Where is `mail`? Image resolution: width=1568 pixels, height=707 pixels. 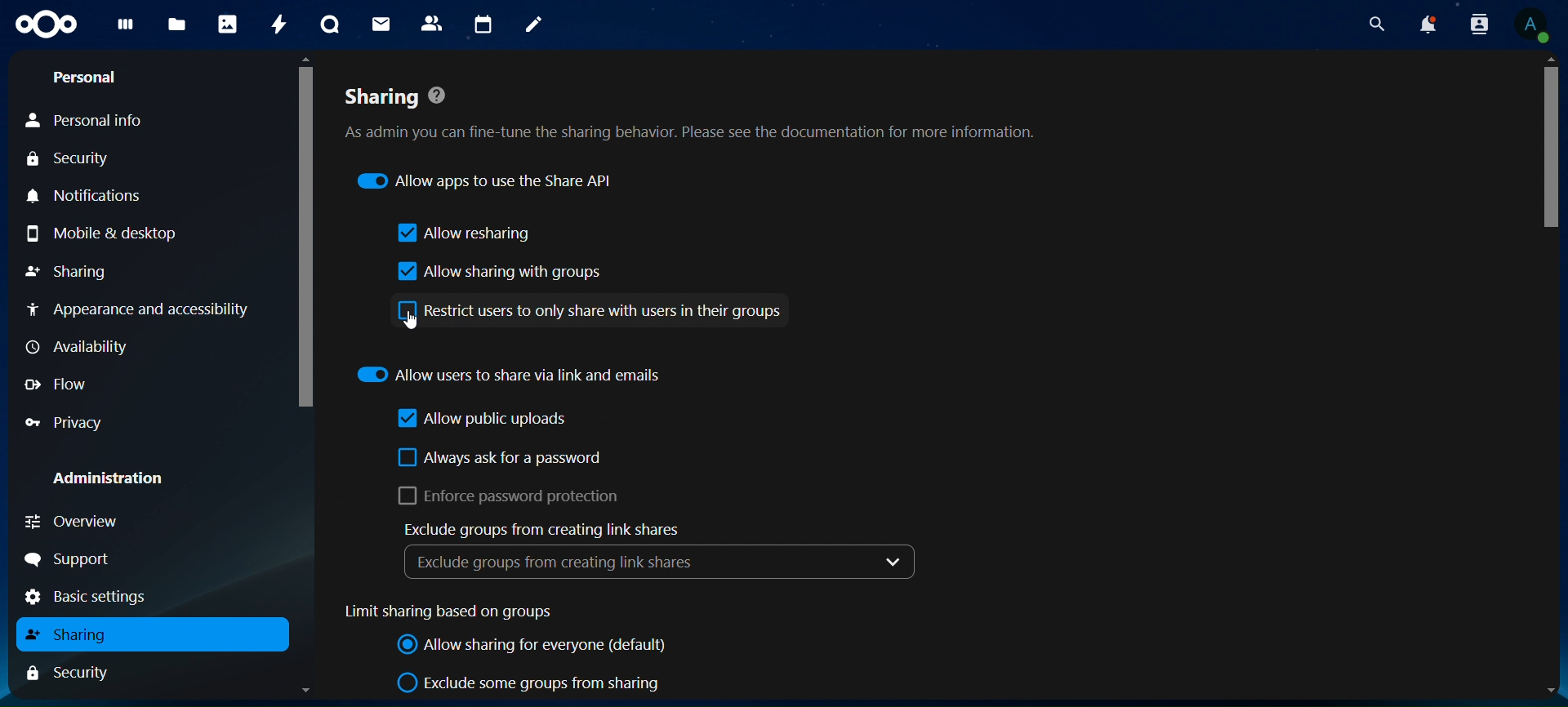
mail is located at coordinates (379, 24).